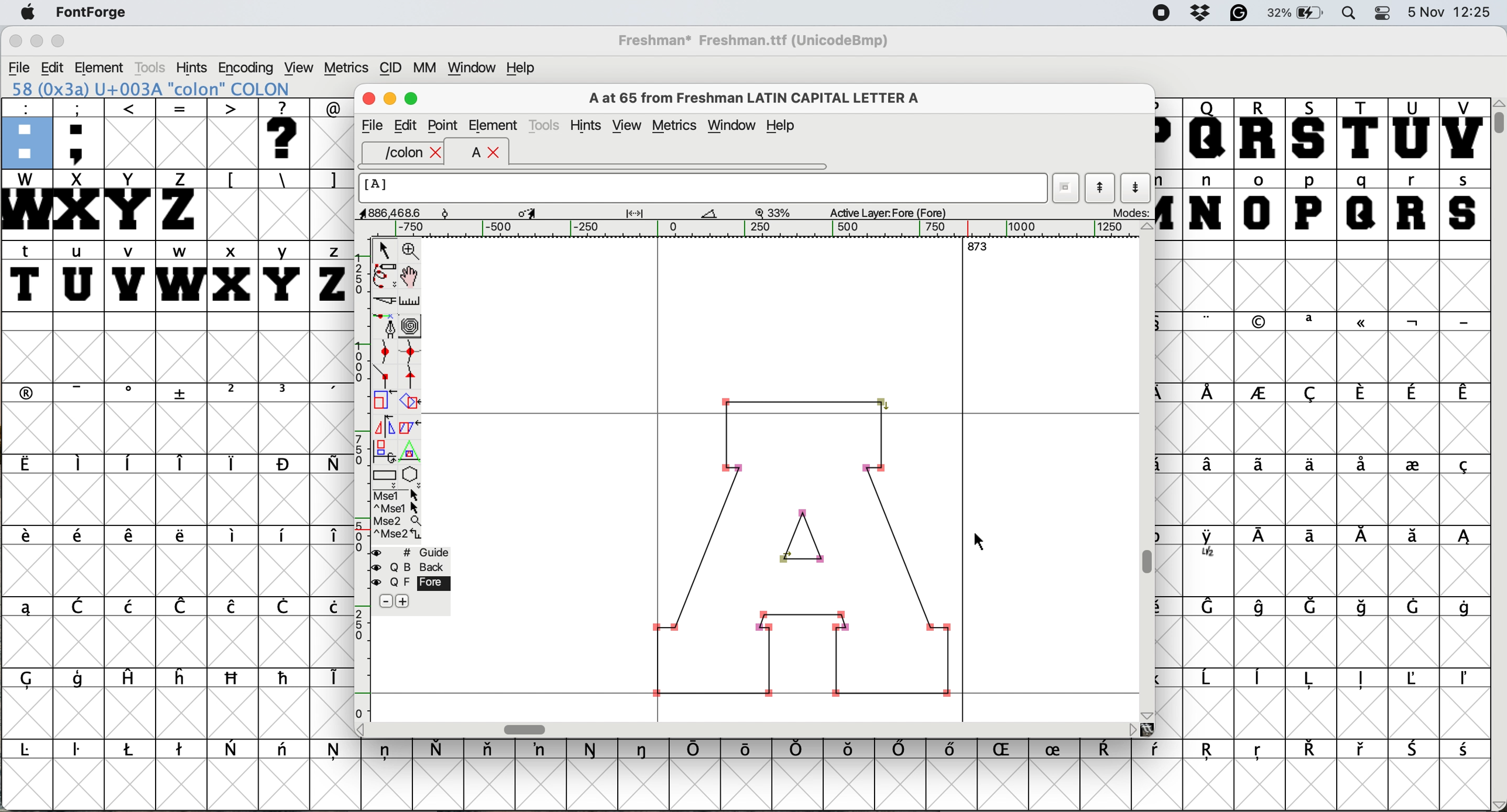 This screenshot has height=812, width=1507. Describe the element at coordinates (82, 392) in the screenshot. I see `symbol` at that location.